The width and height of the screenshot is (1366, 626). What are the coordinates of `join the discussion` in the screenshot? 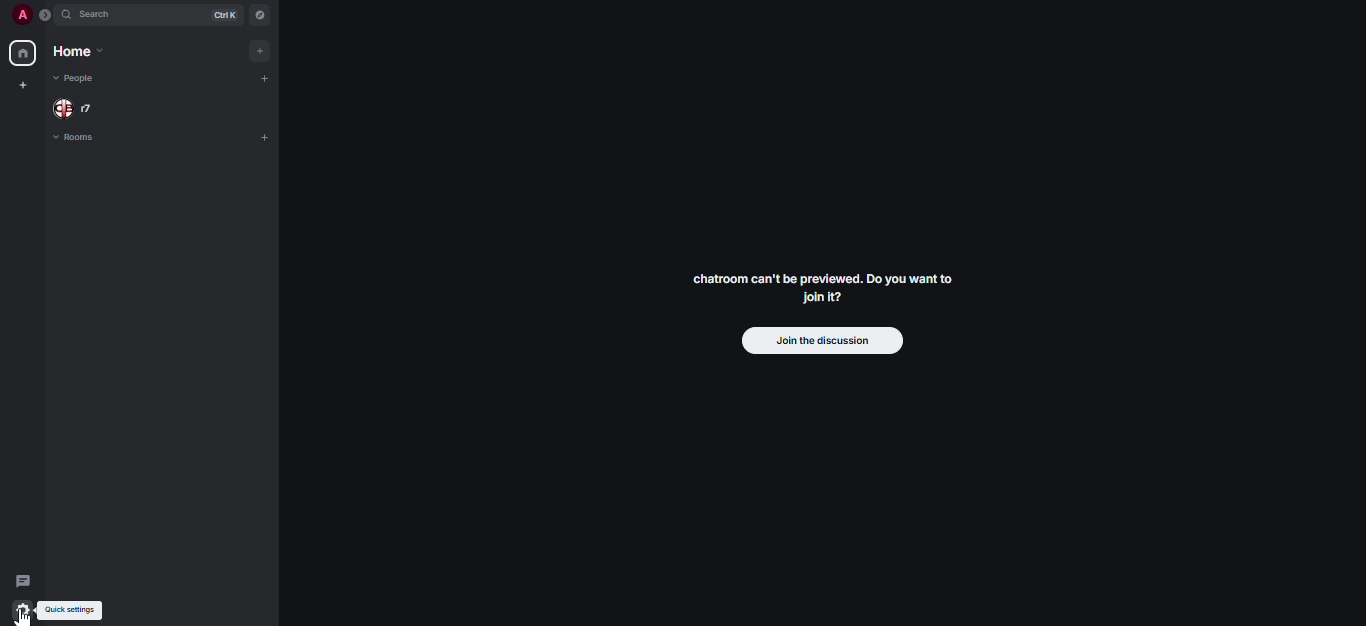 It's located at (824, 341).